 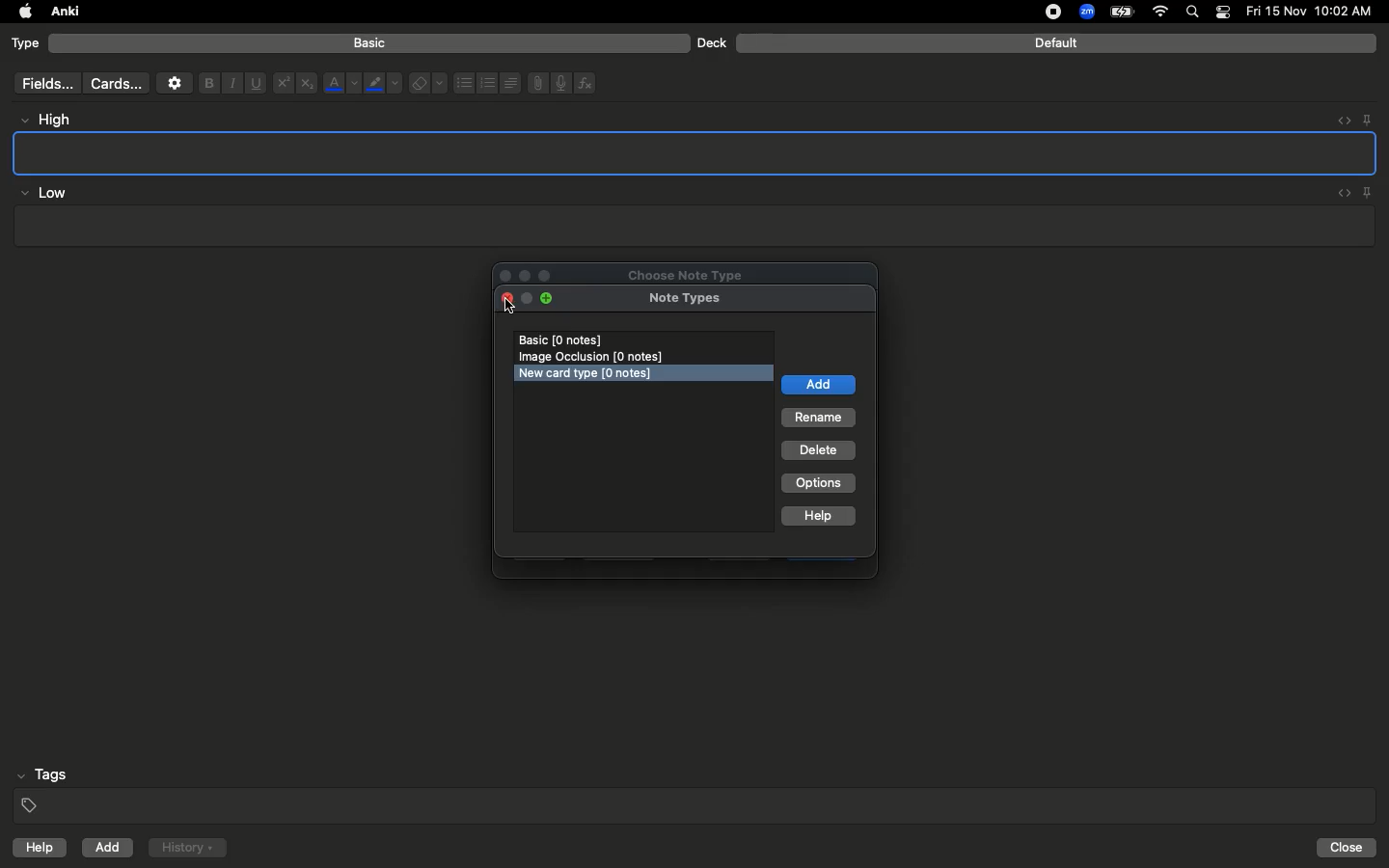 What do you see at coordinates (1367, 119) in the screenshot?
I see `Pin` at bounding box center [1367, 119].